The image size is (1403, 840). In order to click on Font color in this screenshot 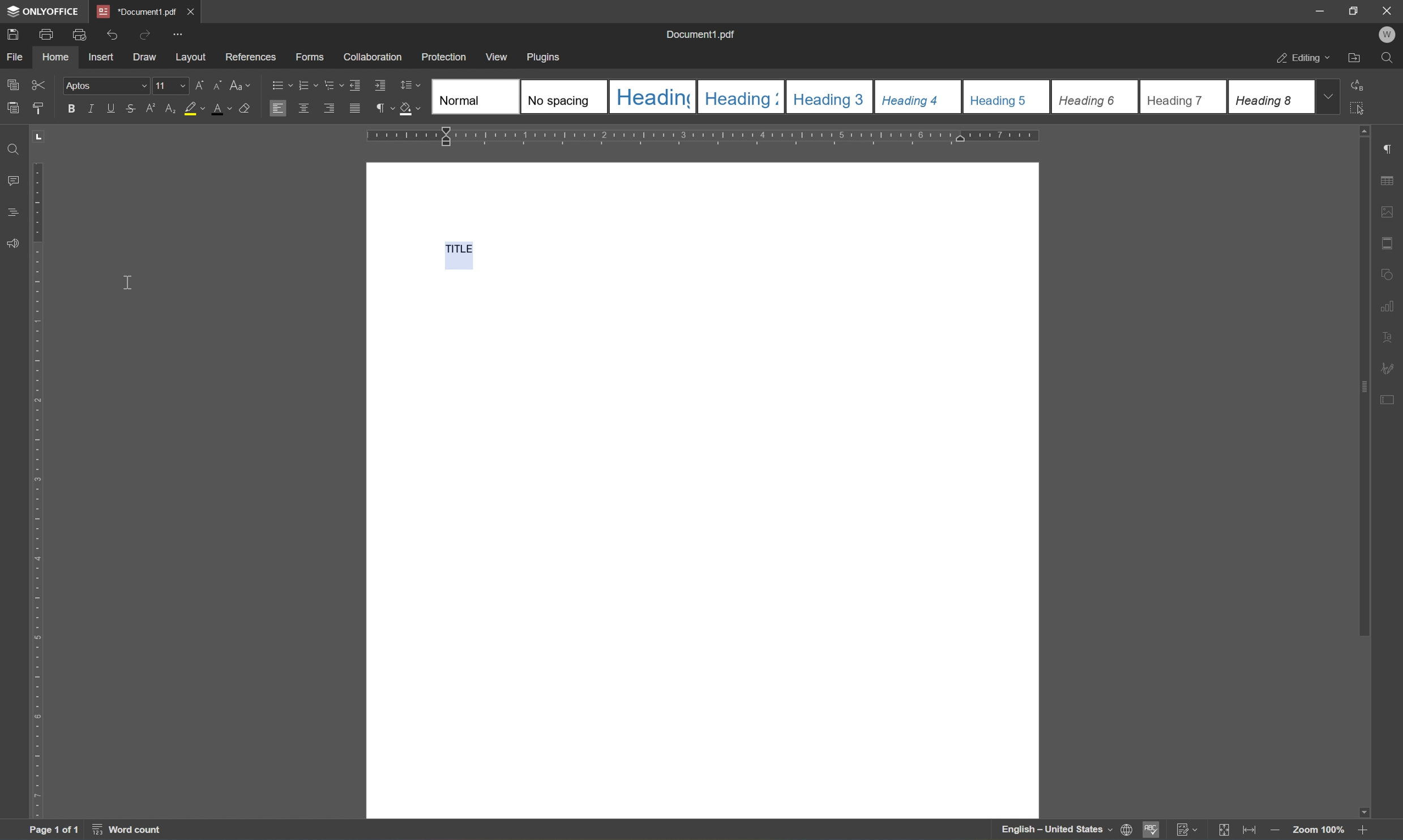, I will do `click(222, 109)`.